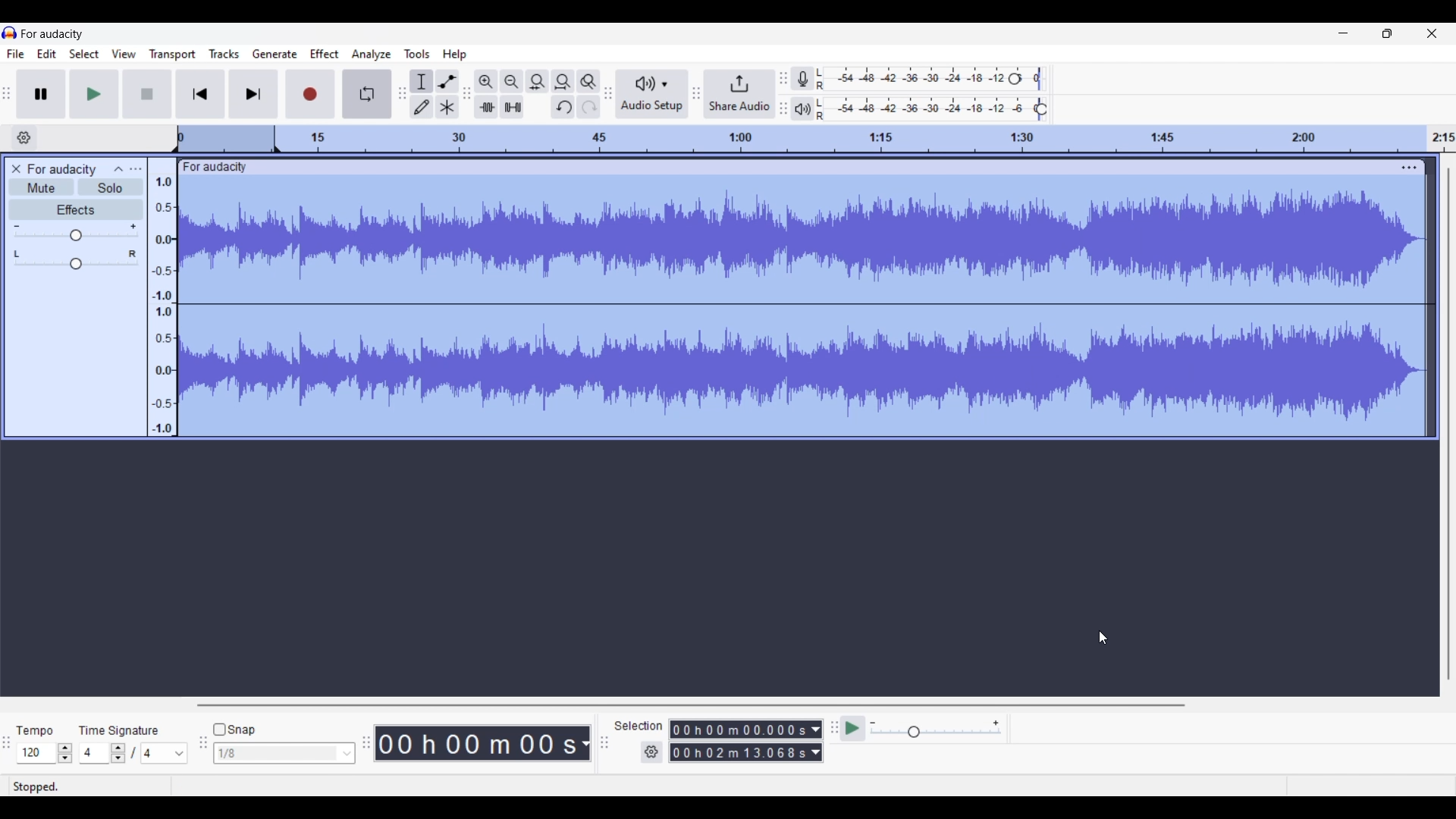 The height and width of the screenshot is (819, 1456). What do you see at coordinates (160, 297) in the screenshot?
I see `Scale to measure audio` at bounding box center [160, 297].